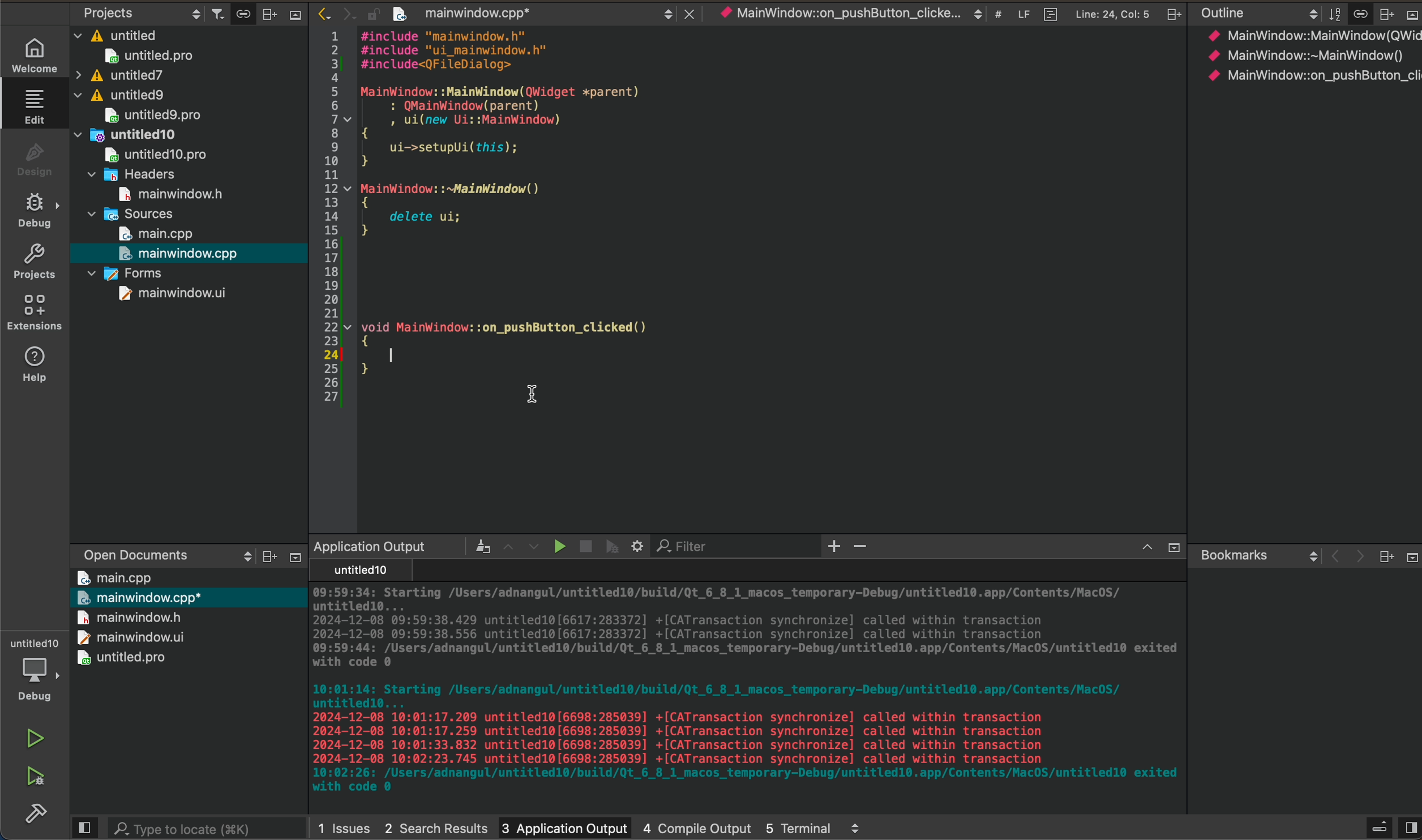  I want to click on mainwindow.cpp’, so click(139, 596).